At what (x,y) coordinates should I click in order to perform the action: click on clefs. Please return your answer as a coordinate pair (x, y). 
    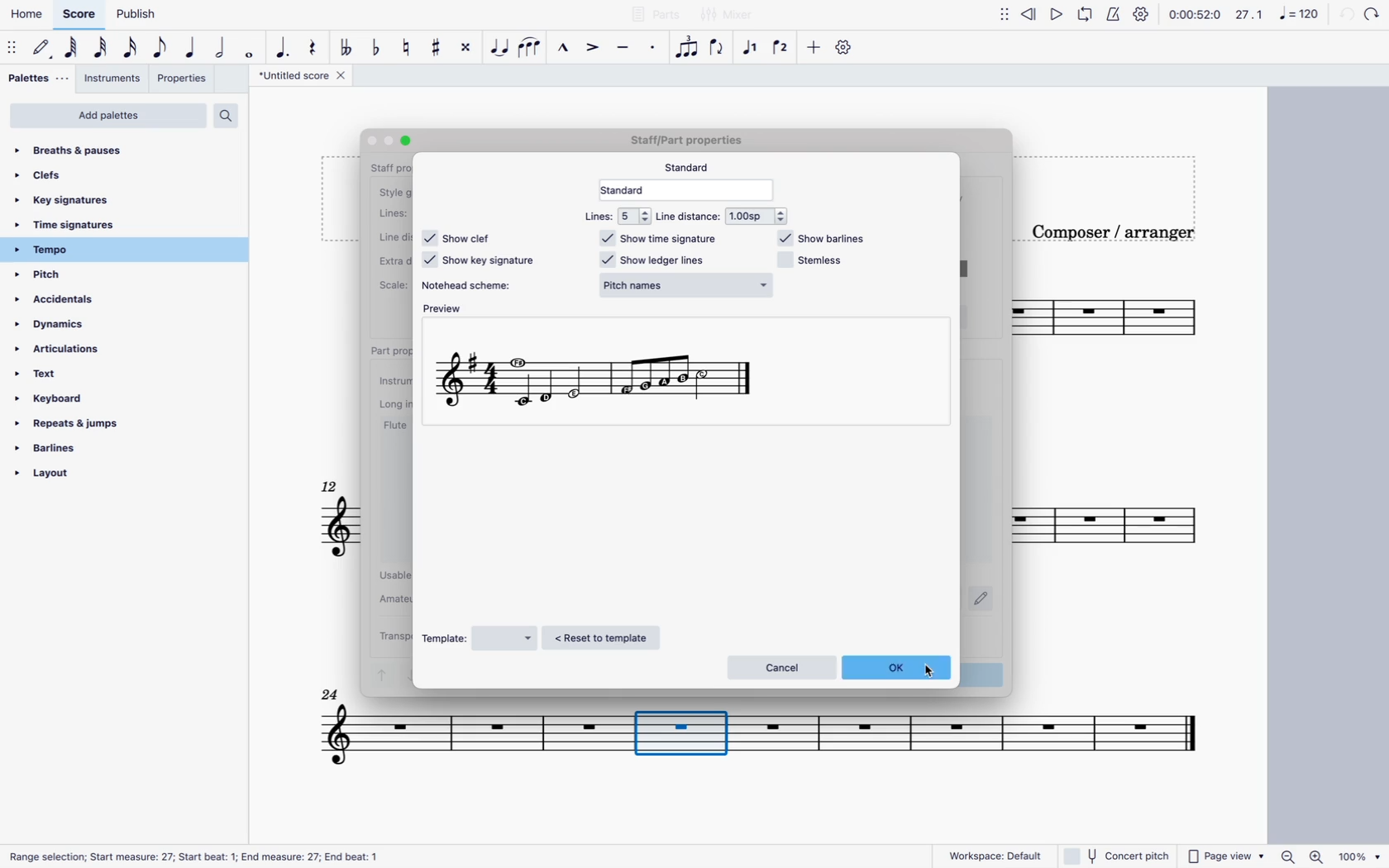
    Looking at the image, I should click on (65, 180).